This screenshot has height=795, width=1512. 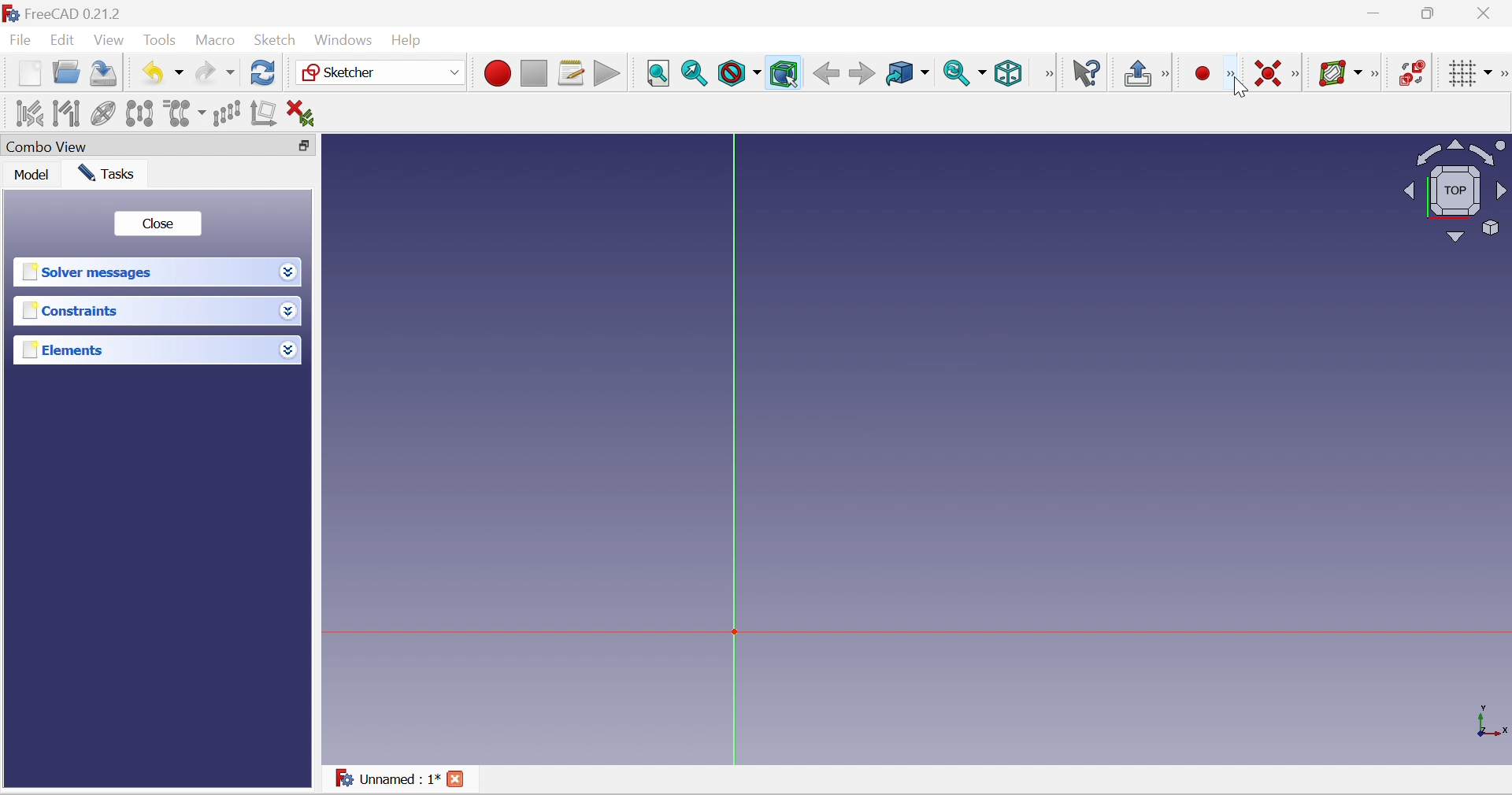 I want to click on Model, so click(x=28, y=175).